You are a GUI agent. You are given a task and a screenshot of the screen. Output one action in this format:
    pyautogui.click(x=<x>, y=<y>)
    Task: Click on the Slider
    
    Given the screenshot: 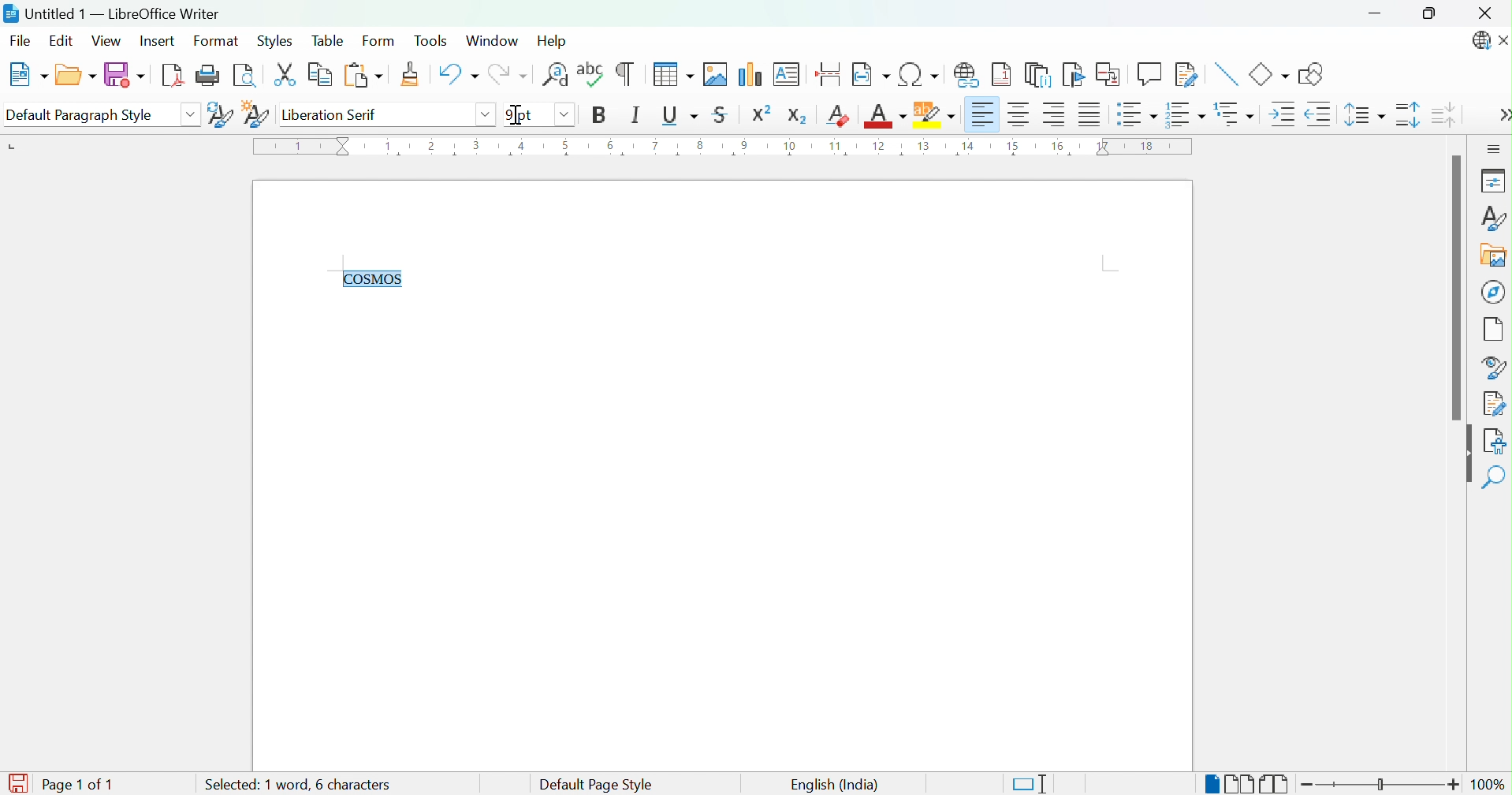 What is the action you would take?
    pyautogui.click(x=1384, y=786)
    